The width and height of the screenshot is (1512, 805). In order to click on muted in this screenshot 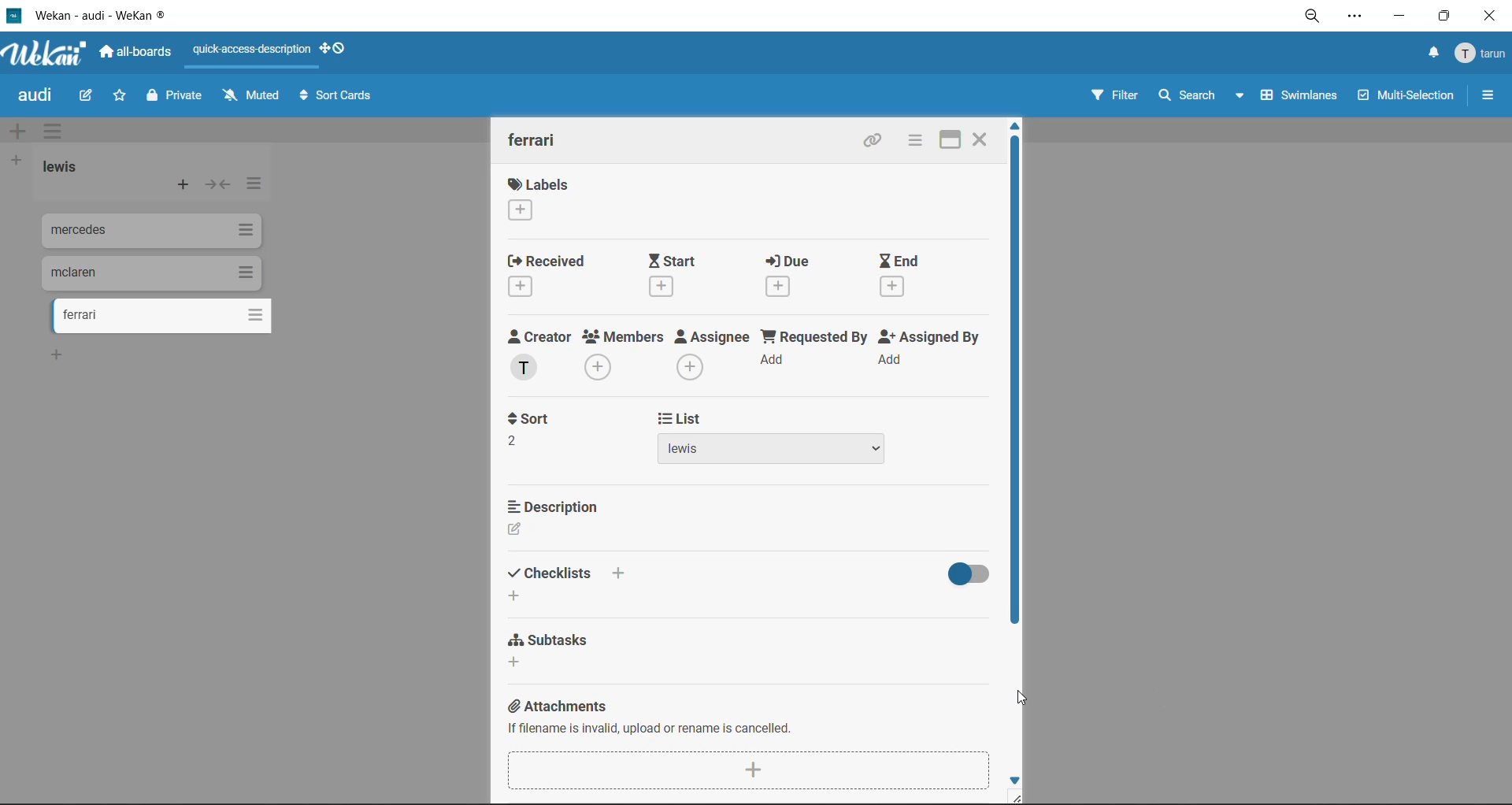, I will do `click(248, 97)`.